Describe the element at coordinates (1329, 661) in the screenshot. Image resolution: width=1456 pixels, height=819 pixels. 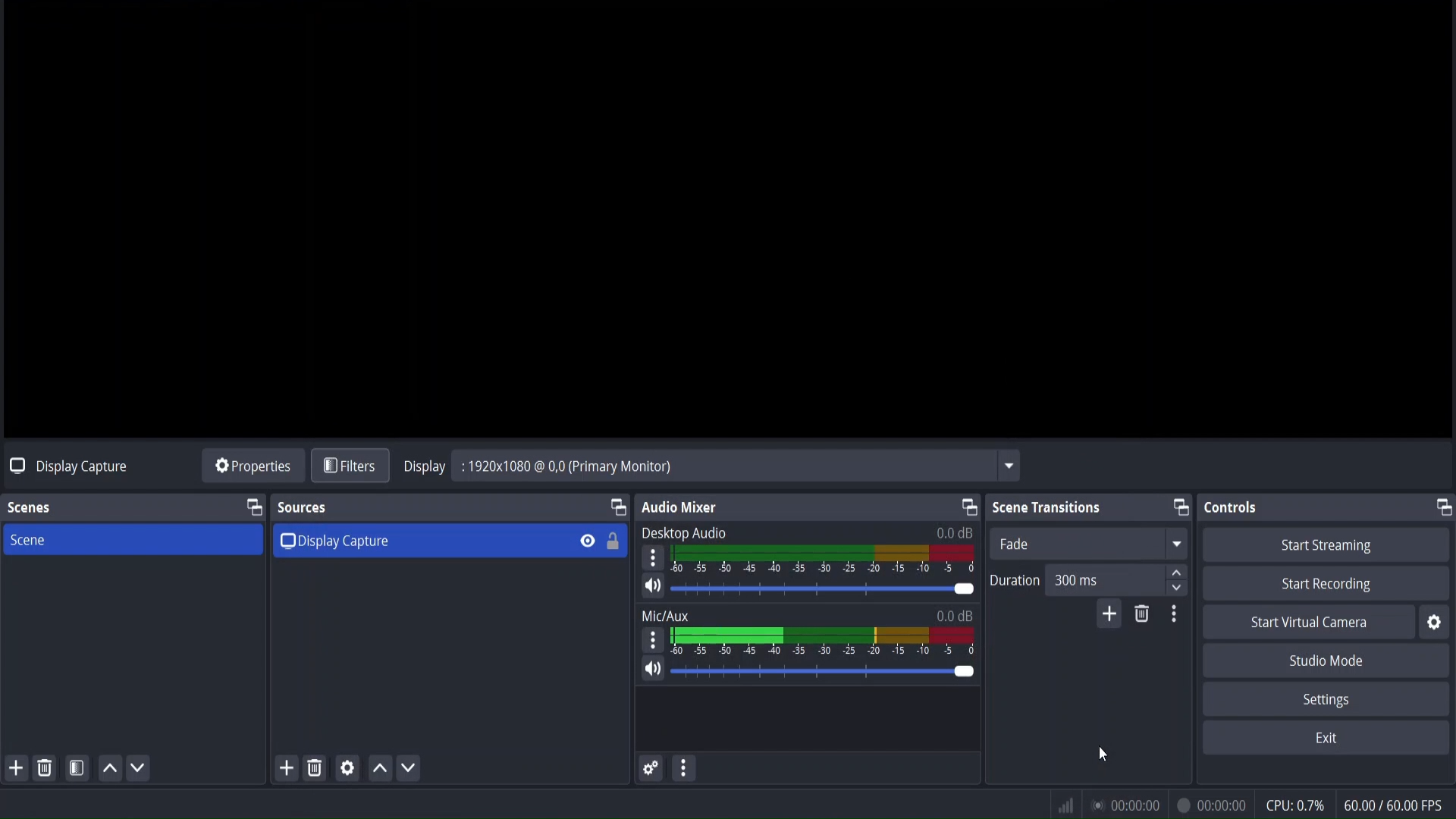
I see `studio mode` at that location.